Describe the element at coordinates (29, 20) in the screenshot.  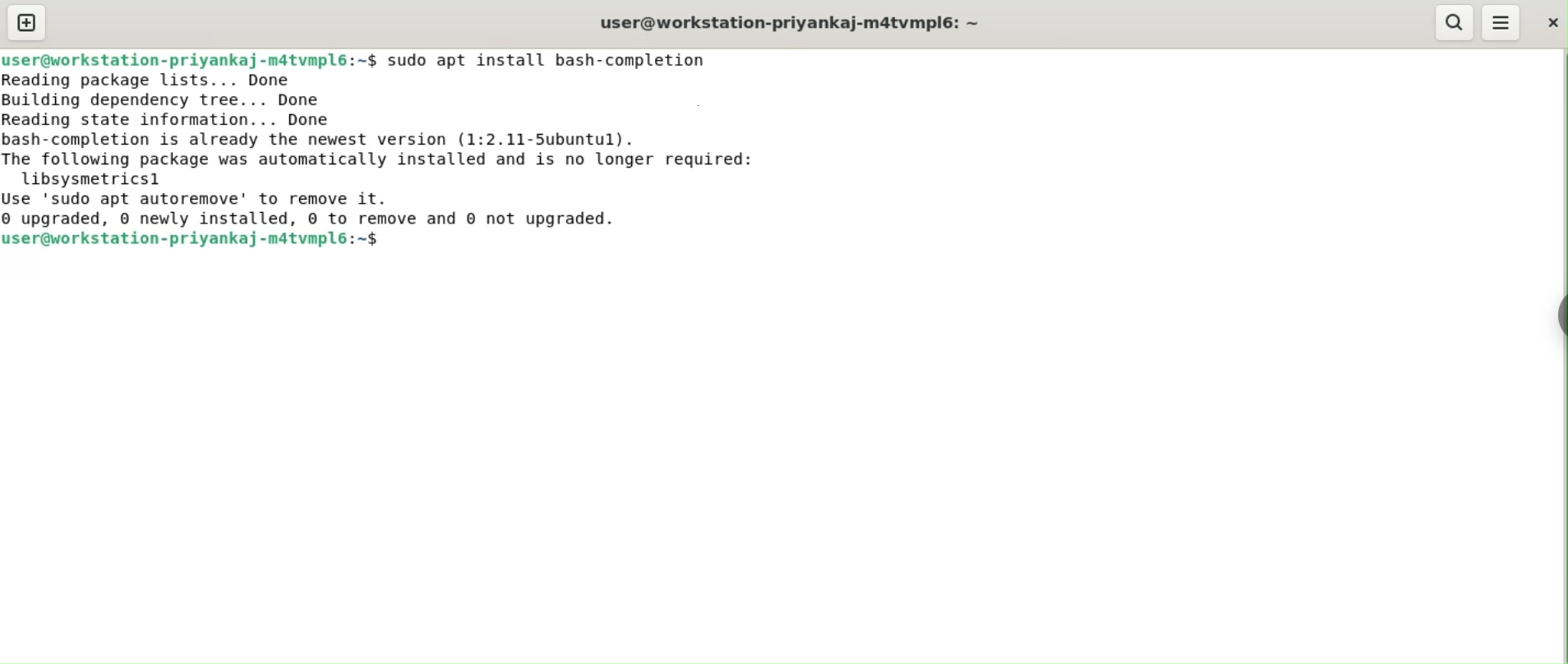
I see `new tab` at that location.